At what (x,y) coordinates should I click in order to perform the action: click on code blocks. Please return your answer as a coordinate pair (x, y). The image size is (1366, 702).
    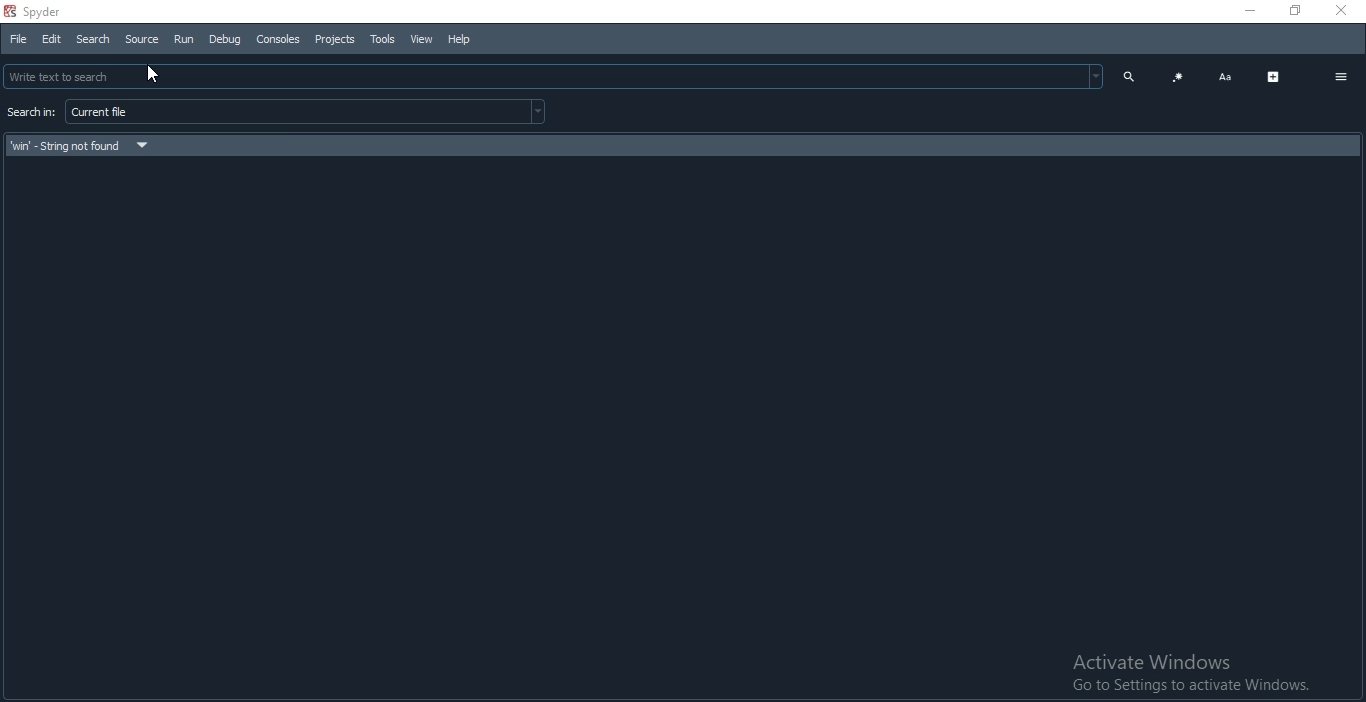
    Looking at the image, I should click on (1178, 77).